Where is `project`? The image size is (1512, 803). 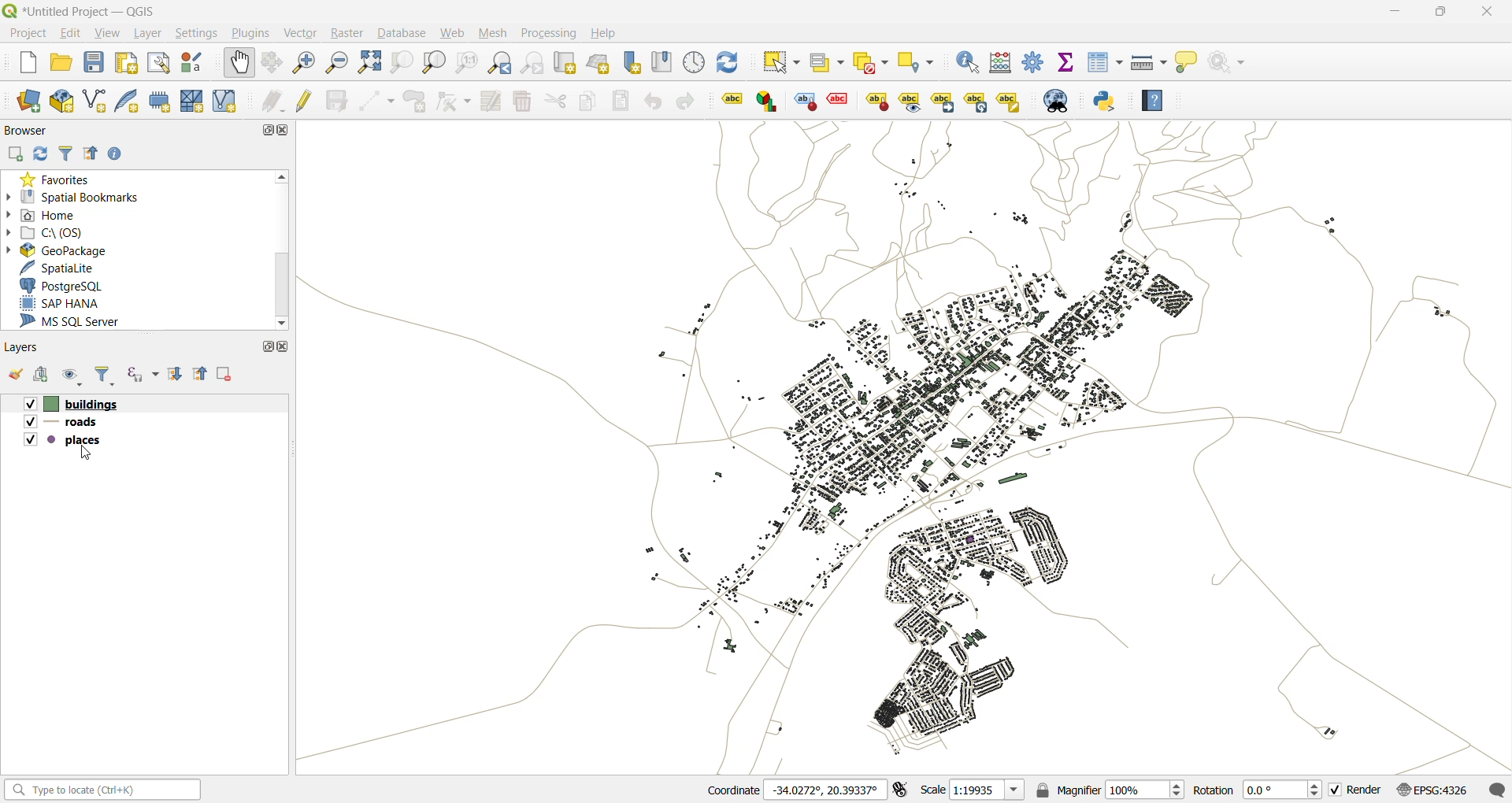
project is located at coordinates (28, 32).